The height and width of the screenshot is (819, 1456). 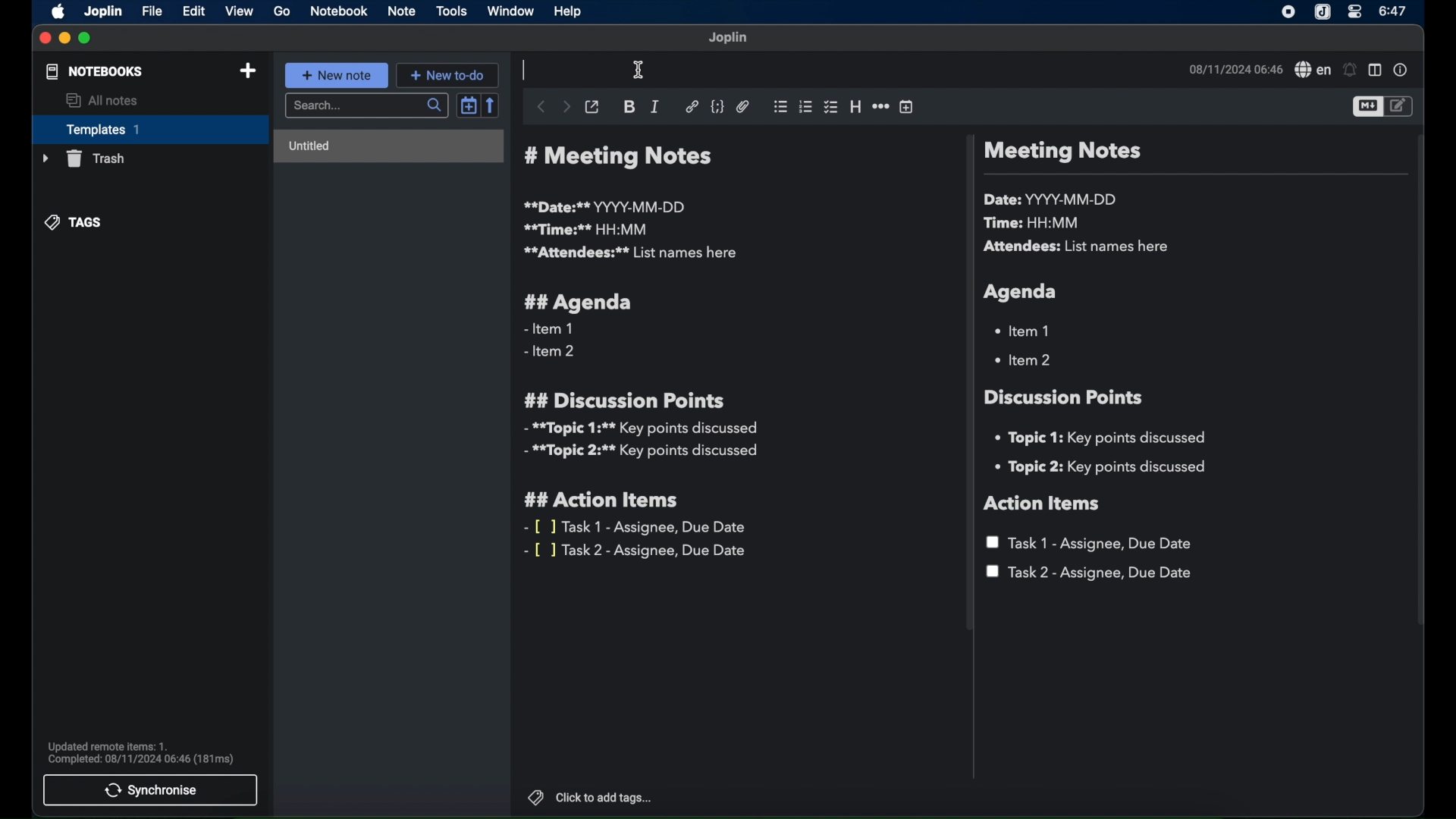 What do you see at coordinates (450, 74) in the screenshot?
I see `new to-do` at bounding box center [450, 74].